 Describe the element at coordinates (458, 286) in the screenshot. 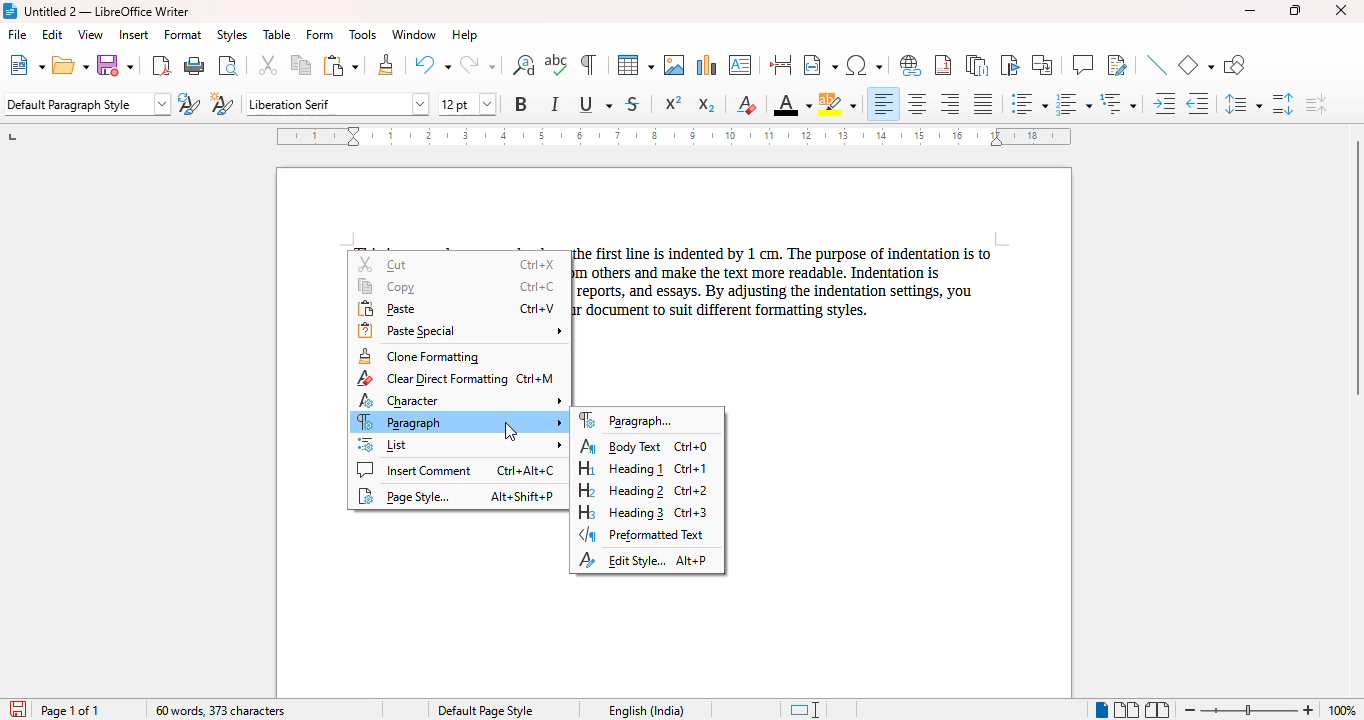

I see `copy` at that location.